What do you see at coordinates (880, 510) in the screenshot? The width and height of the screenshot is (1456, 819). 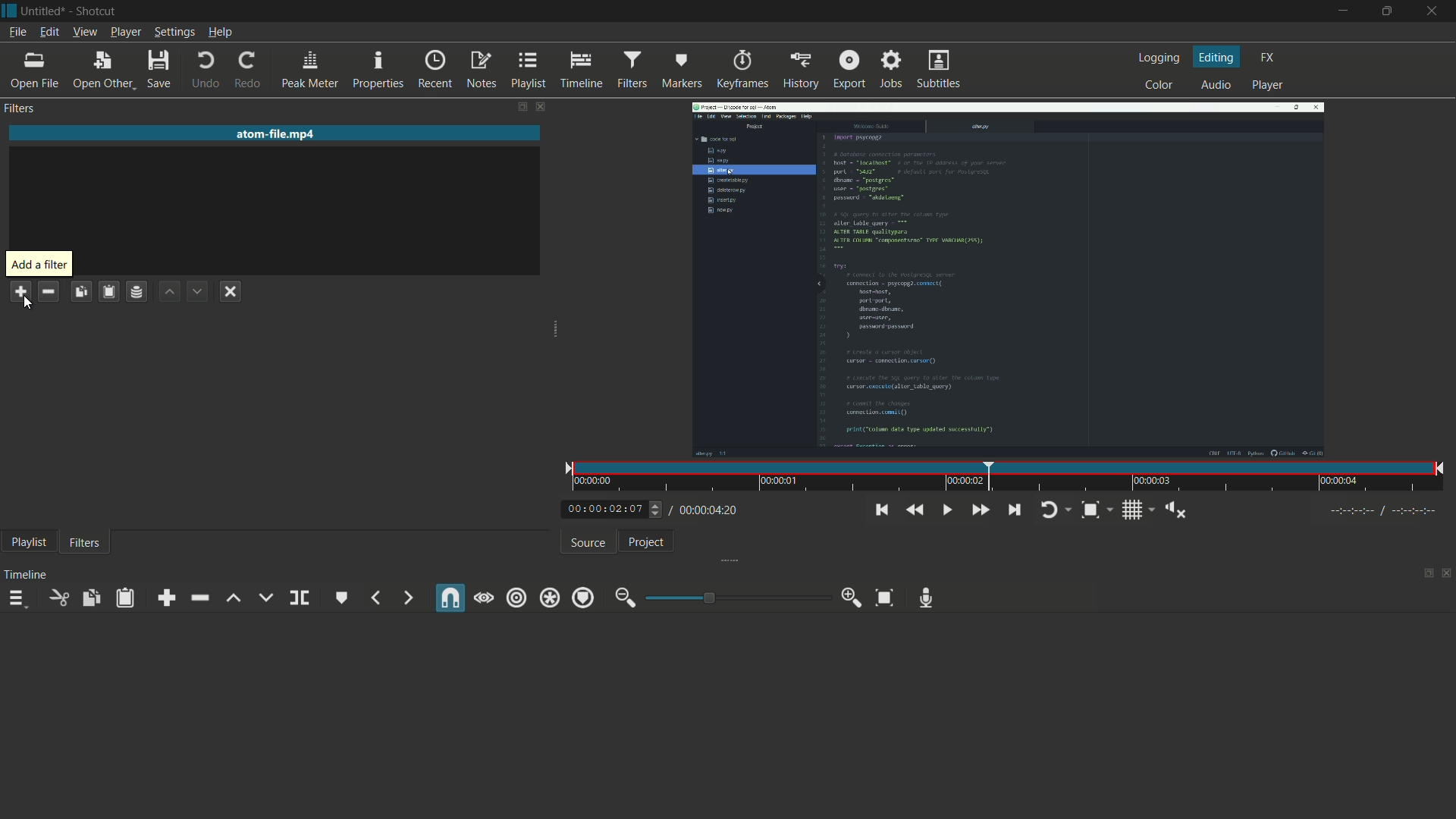 I see `skip to the previous point` at bounding box center [880, 510].